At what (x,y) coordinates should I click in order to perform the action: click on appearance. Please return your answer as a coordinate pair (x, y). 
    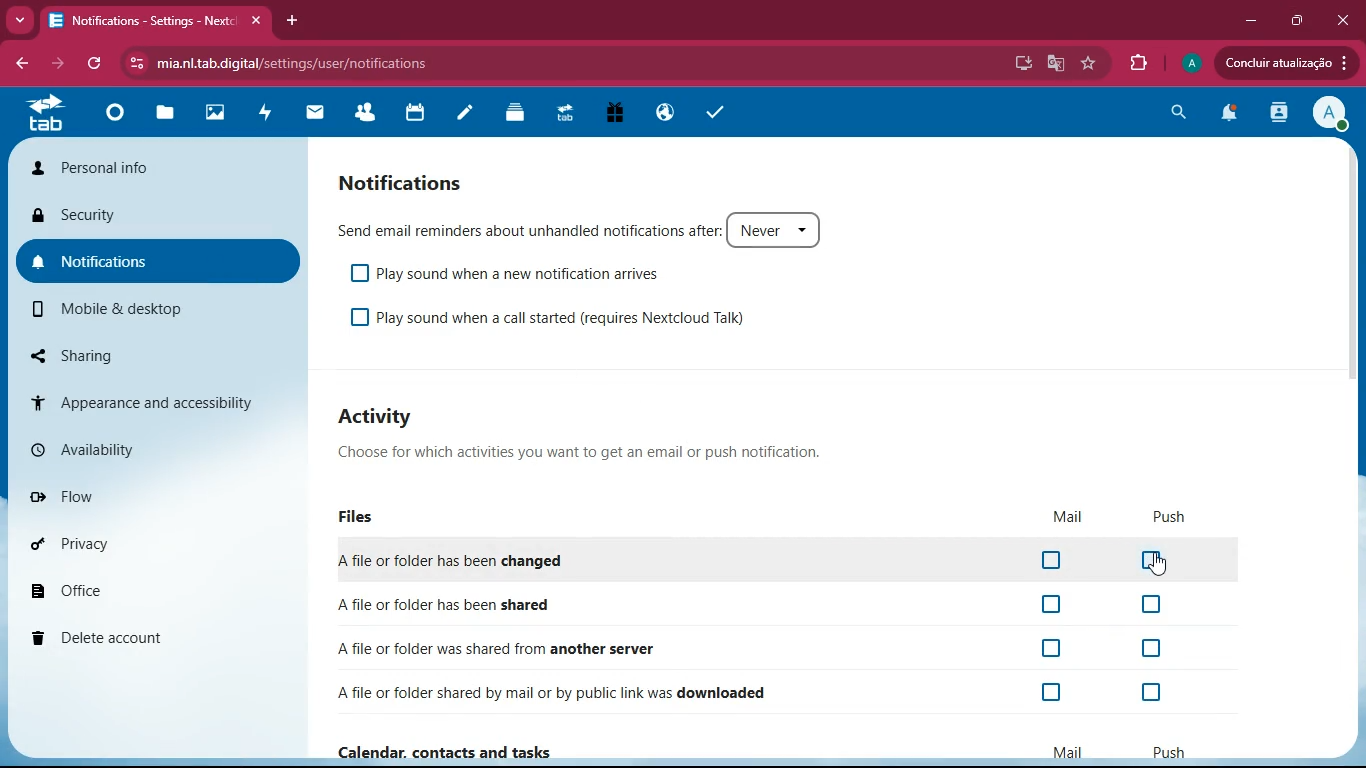
    Looking at the image, I should click on (142, 397).